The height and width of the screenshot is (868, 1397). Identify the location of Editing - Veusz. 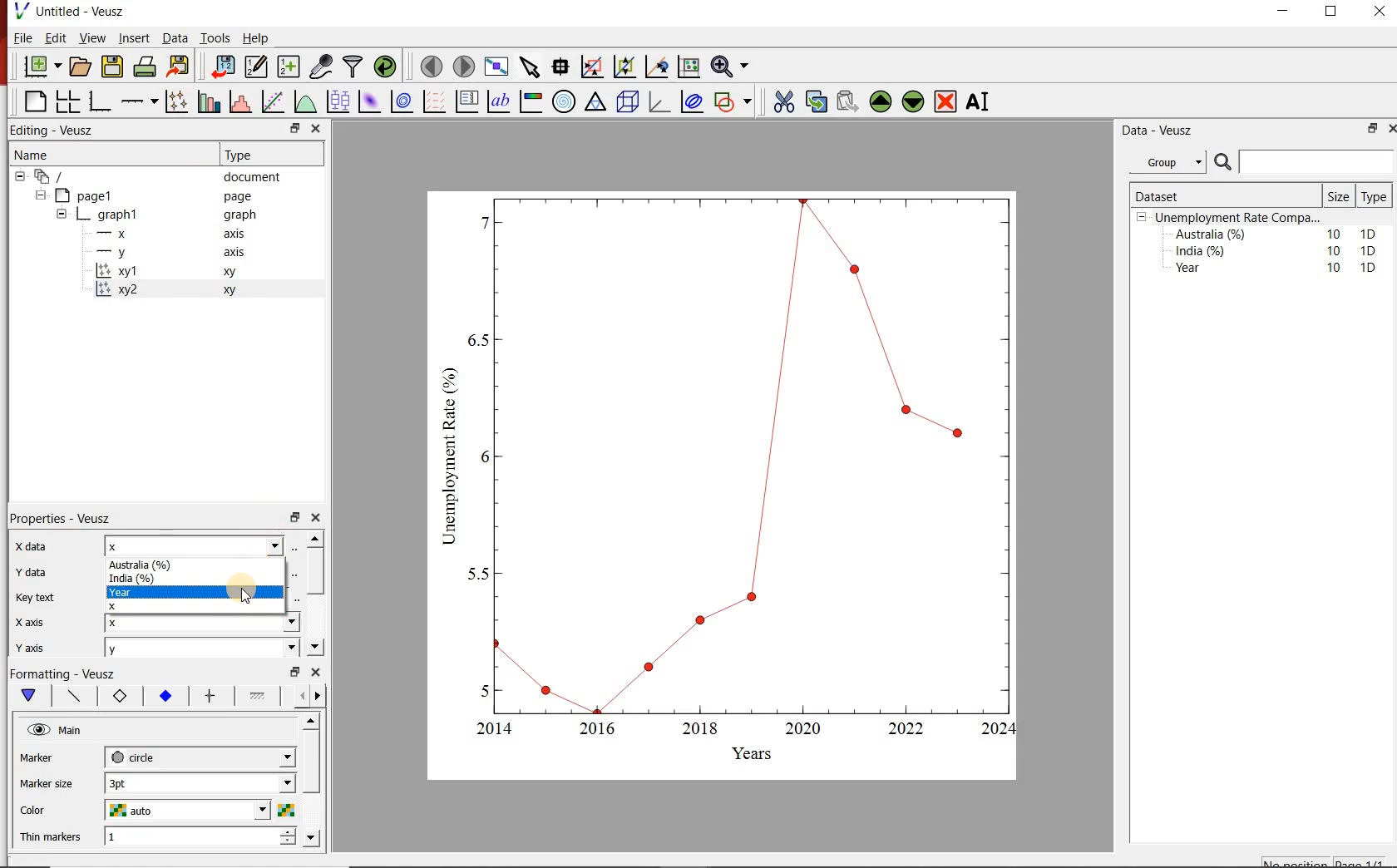
(55, 129).